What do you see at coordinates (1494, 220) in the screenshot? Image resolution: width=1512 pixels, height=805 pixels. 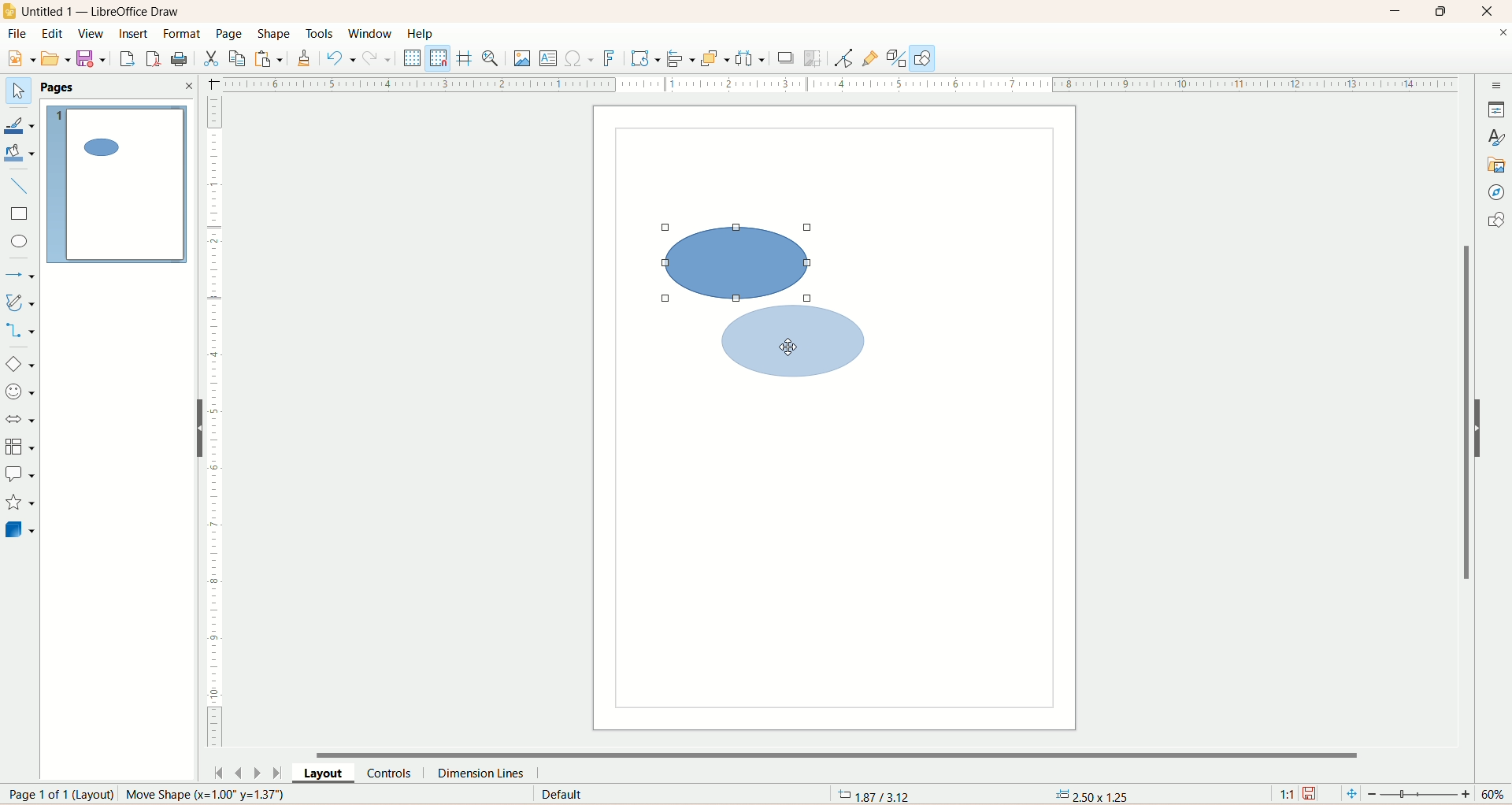 I see `shapes` at bounding box center [1494, 220].